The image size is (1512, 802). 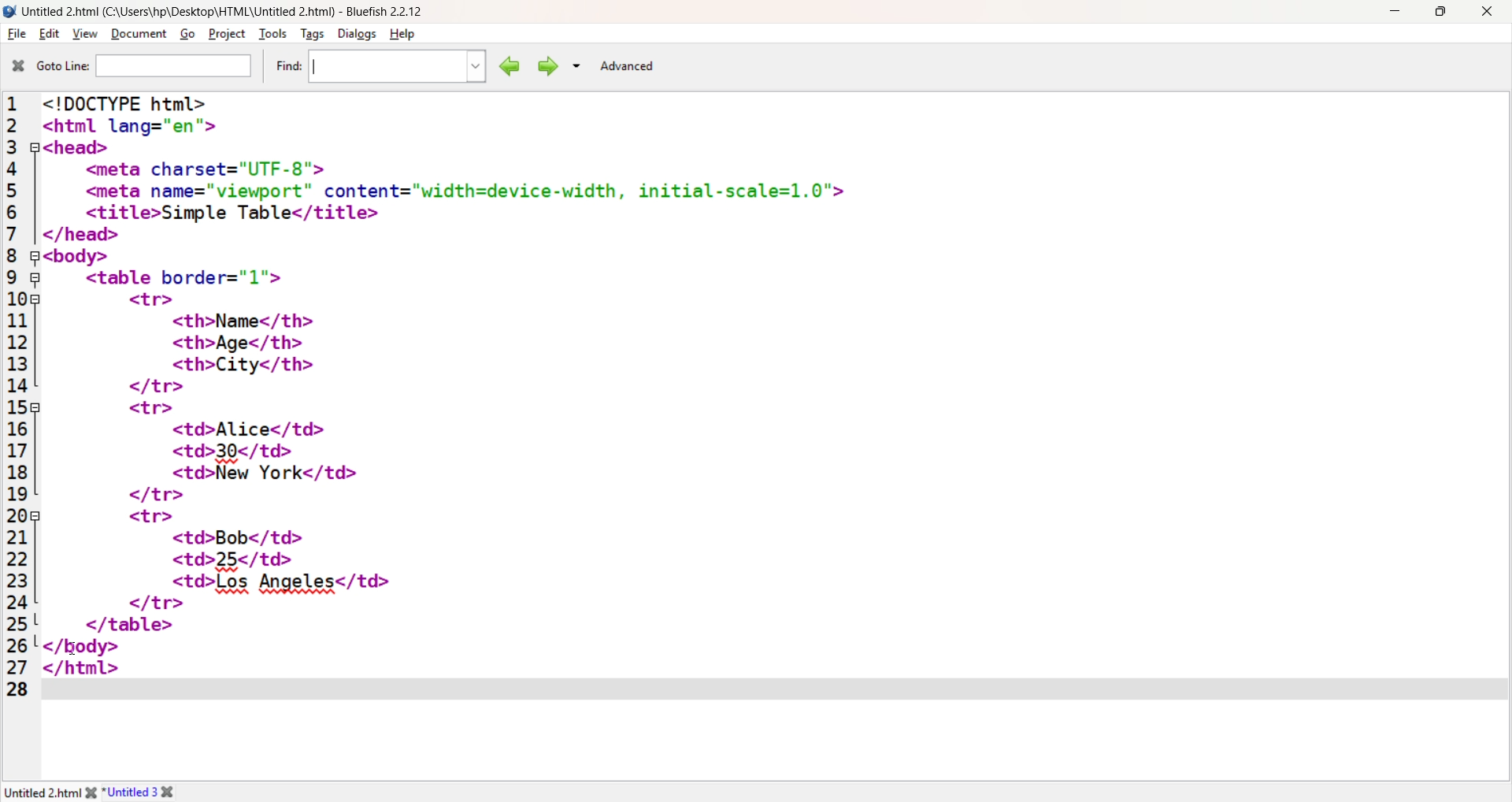 I want to click on Goto Line Search bar, so click(x=175, y=67).